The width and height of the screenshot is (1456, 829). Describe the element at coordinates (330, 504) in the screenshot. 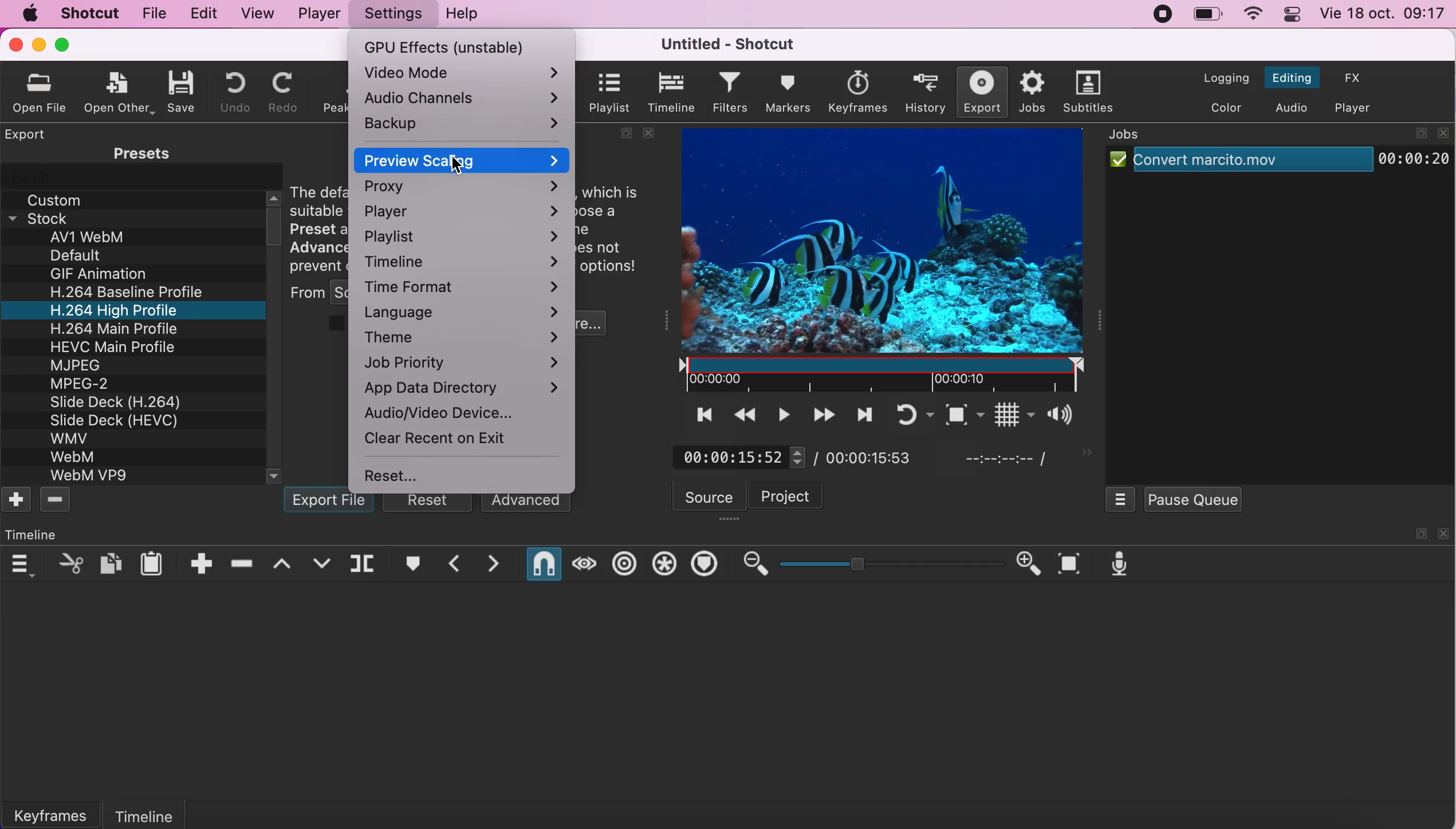

I see `export file` at that location.